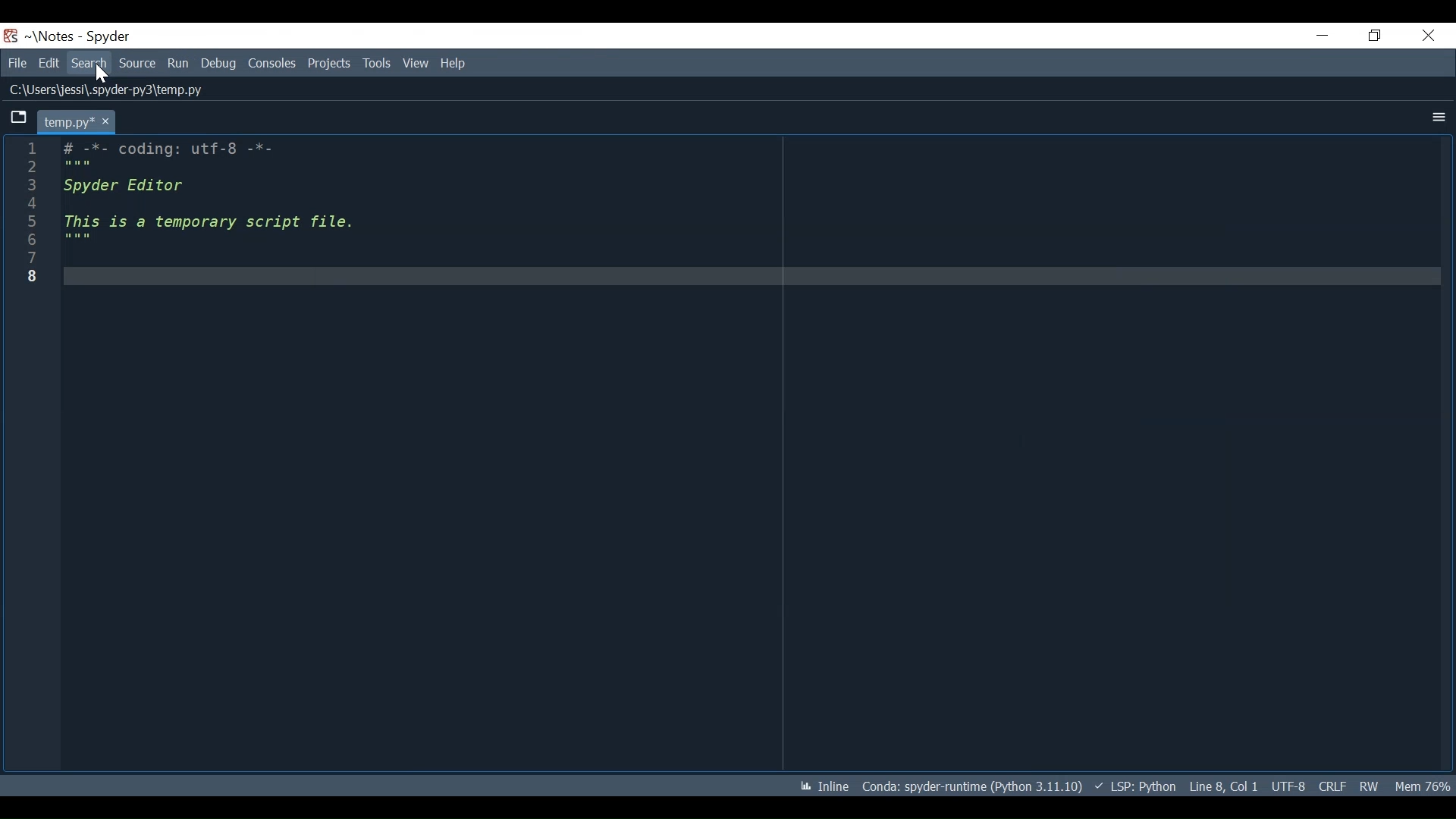  Describe the element at coordinates (99, 90) in the screenshot. I see `File Path` at that location.